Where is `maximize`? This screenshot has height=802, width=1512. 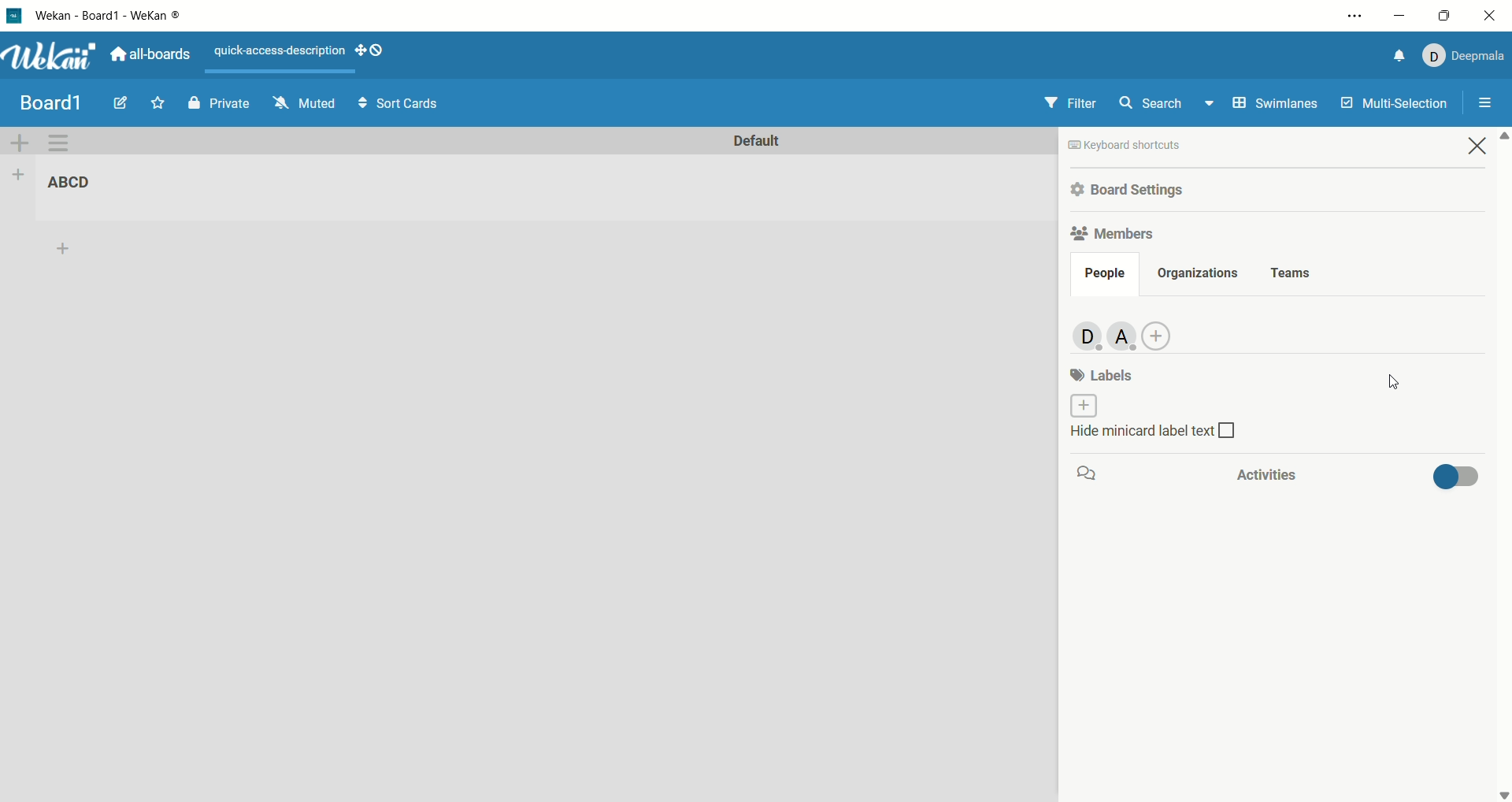 maximize is located at coordinates (1443, 16).